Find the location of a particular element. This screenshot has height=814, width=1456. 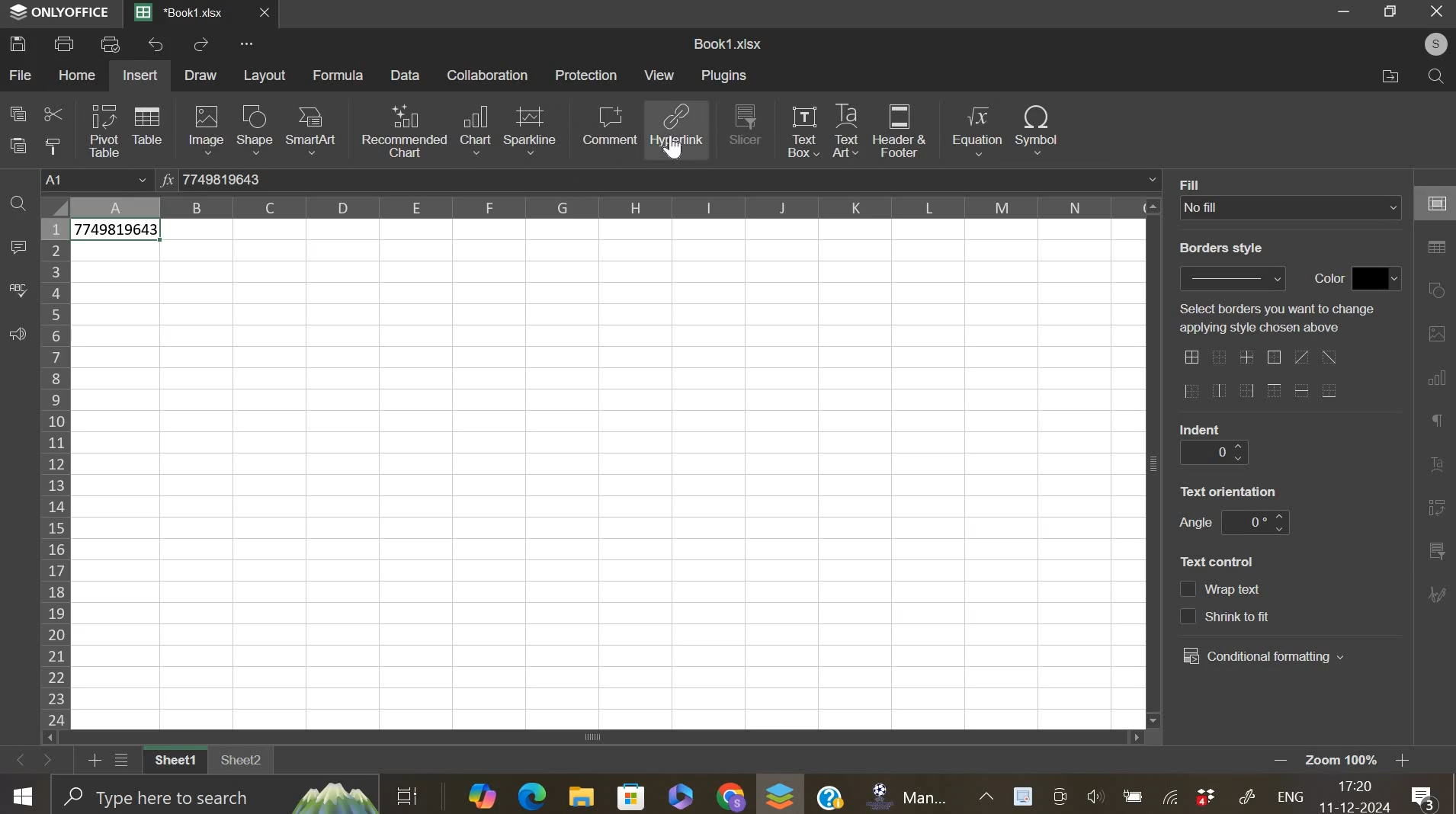

copy style is located at coordinates (53, 146).